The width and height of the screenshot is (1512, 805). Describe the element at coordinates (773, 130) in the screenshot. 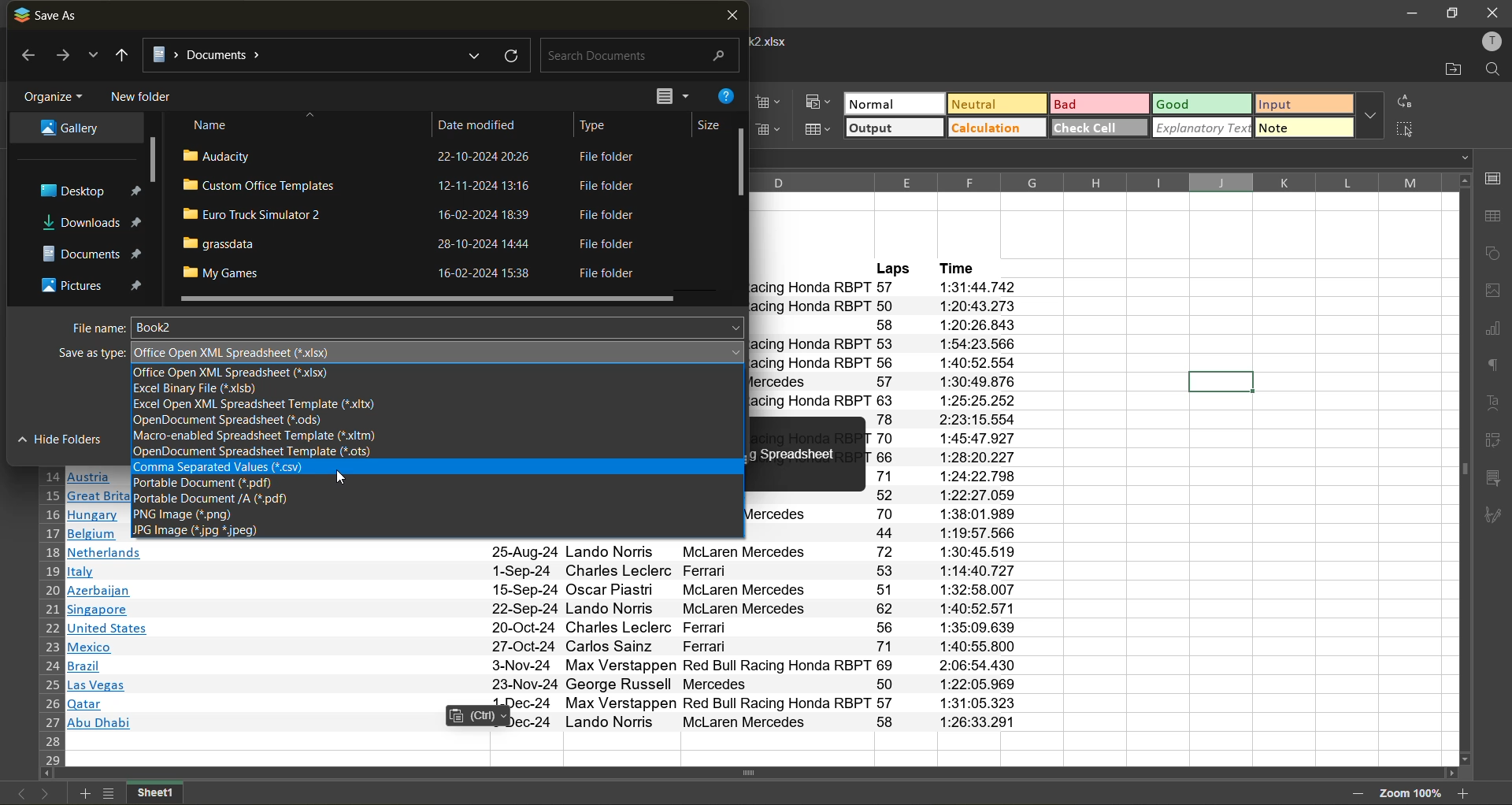

I see `delete cells` at that location.